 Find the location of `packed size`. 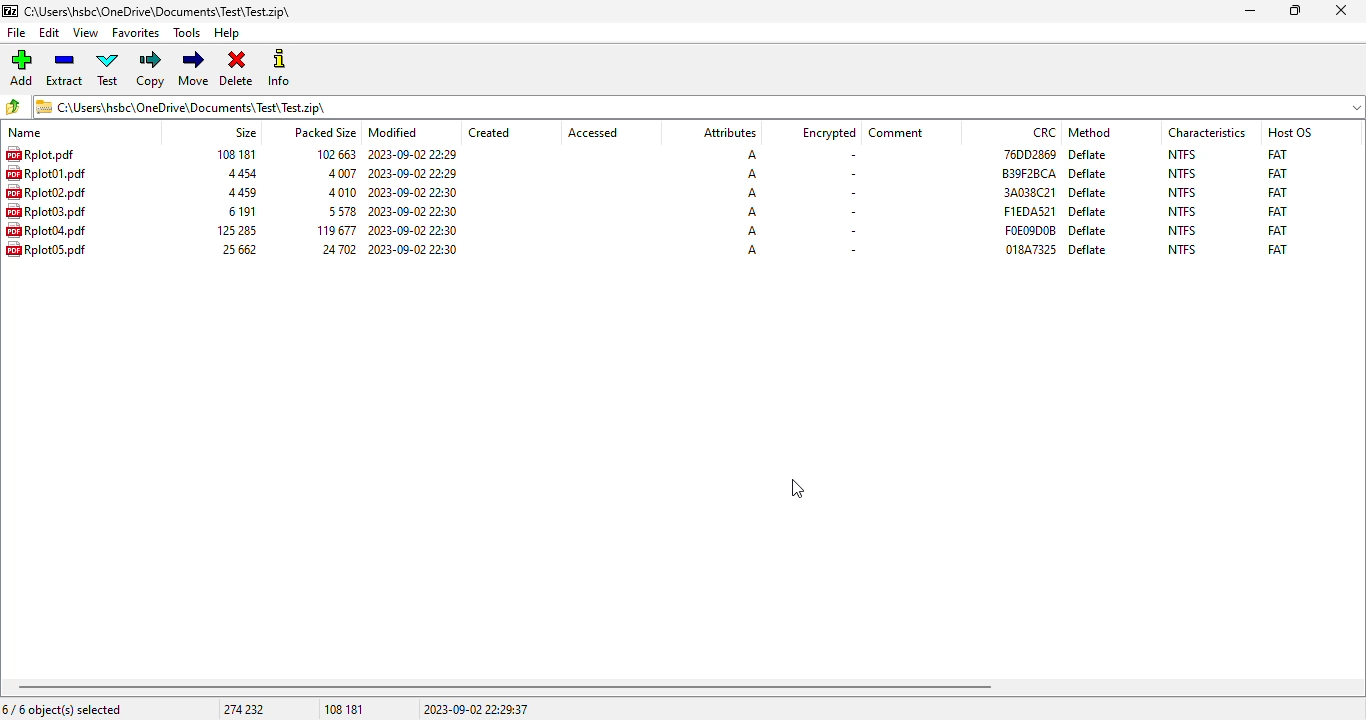

packed size is located at coordinates (324, 131).